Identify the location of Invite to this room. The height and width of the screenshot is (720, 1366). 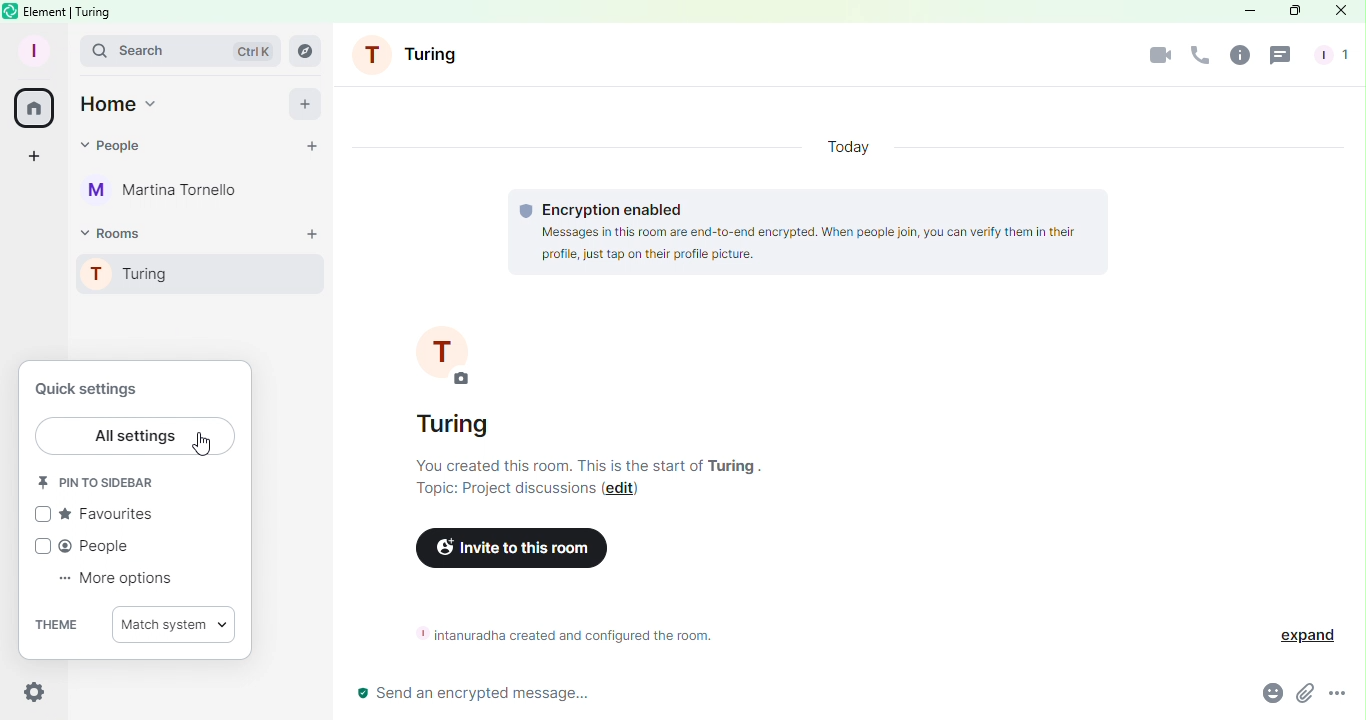
(510, 548).